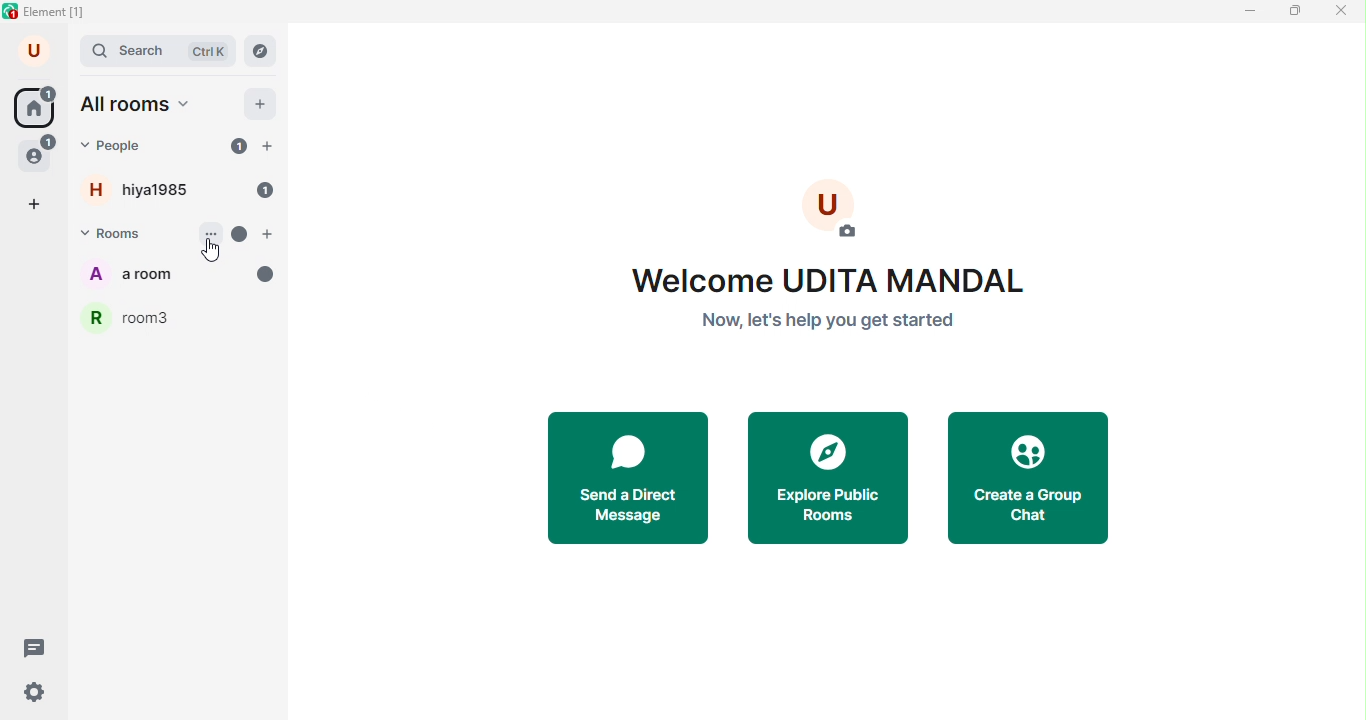 The image size is (1366, 720). Describe the element at coordinates (273, 147) in the screenshot. I see `add people` at that location.